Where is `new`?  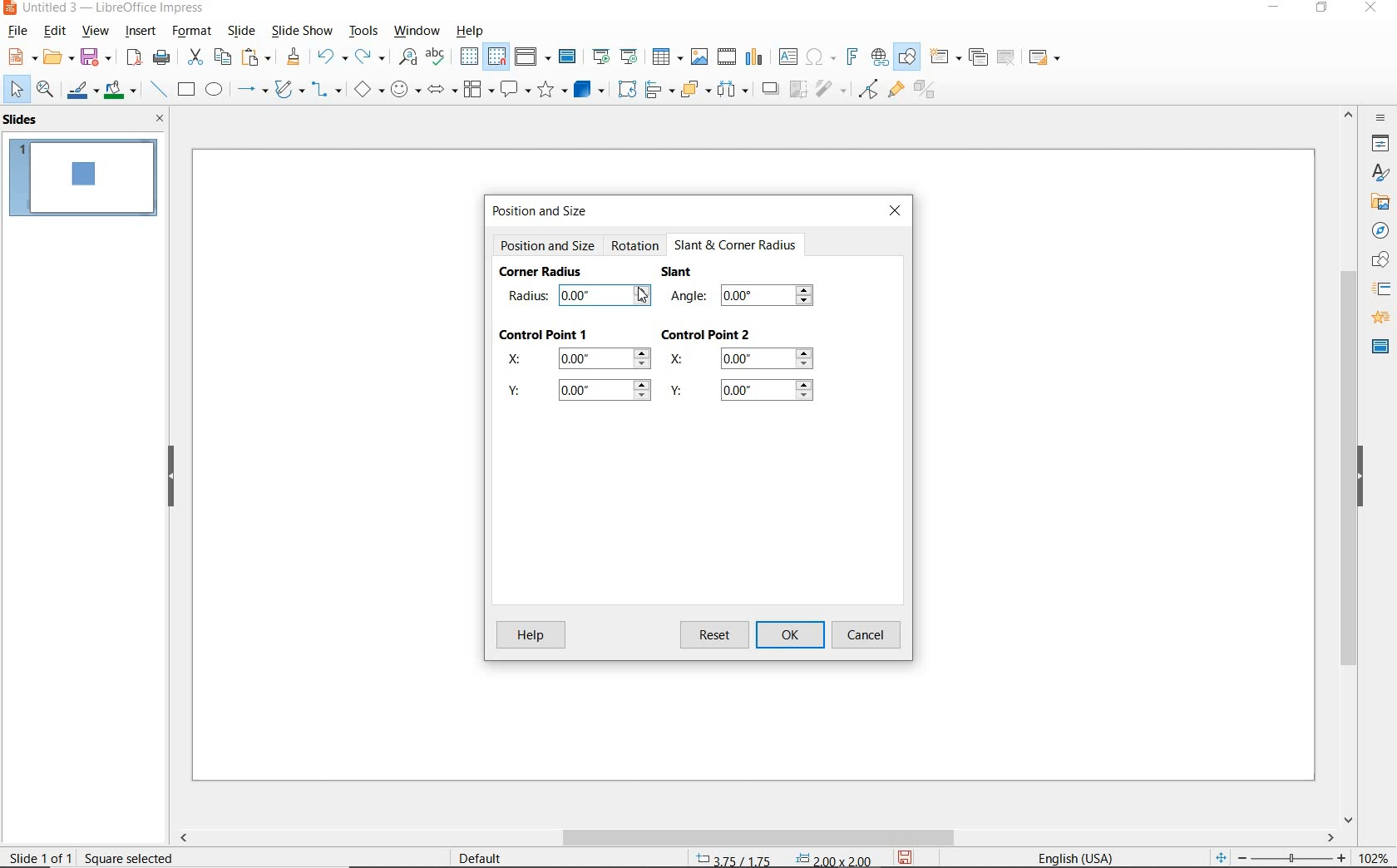 new is located at coordinates (15, 59).